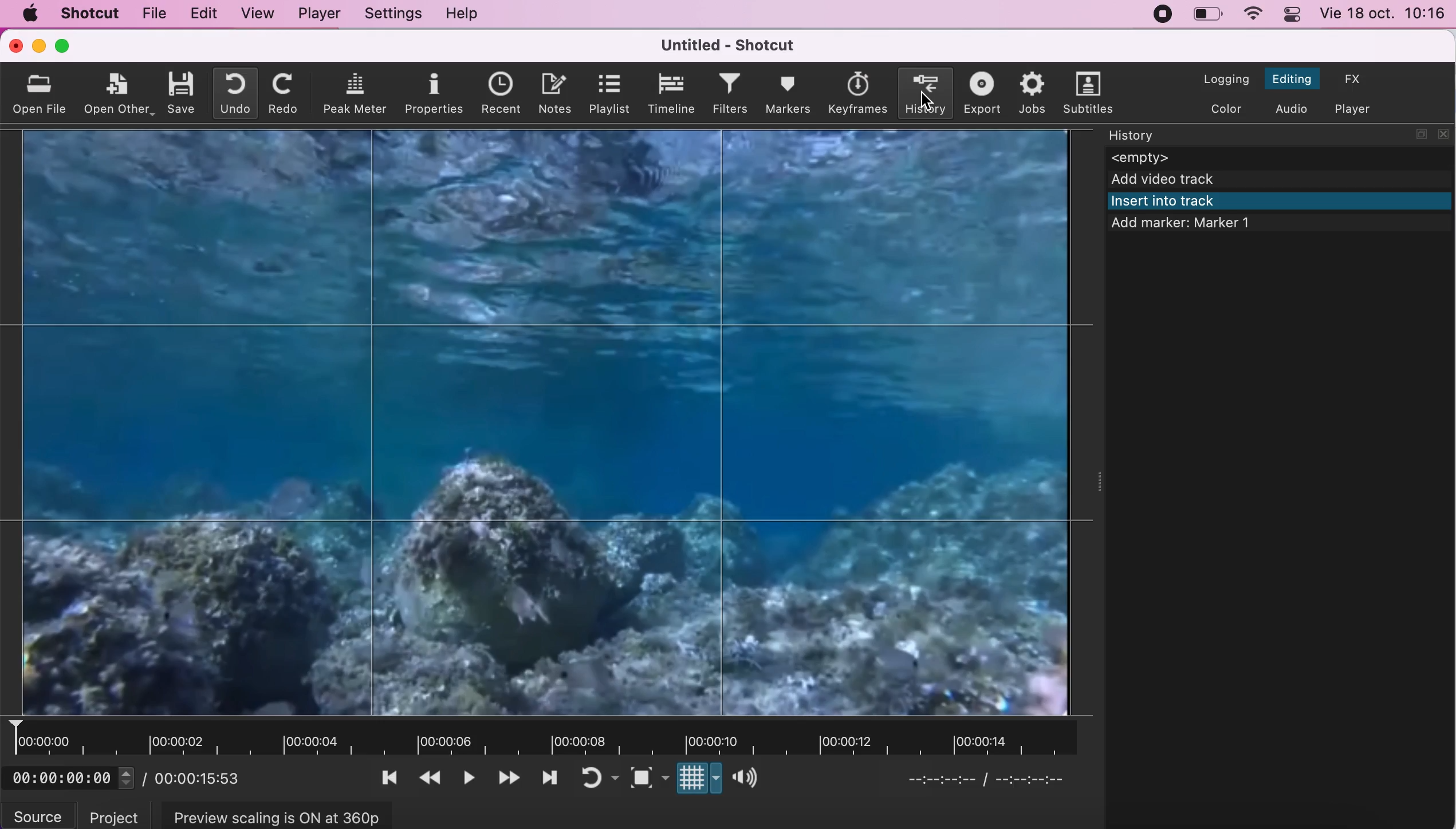 The width and height of the screenshot is (1456, 829). What do you see at coordinates (1085, 90) in the screenshot?
I see `subtitles` at bounding box center [1085, 90].